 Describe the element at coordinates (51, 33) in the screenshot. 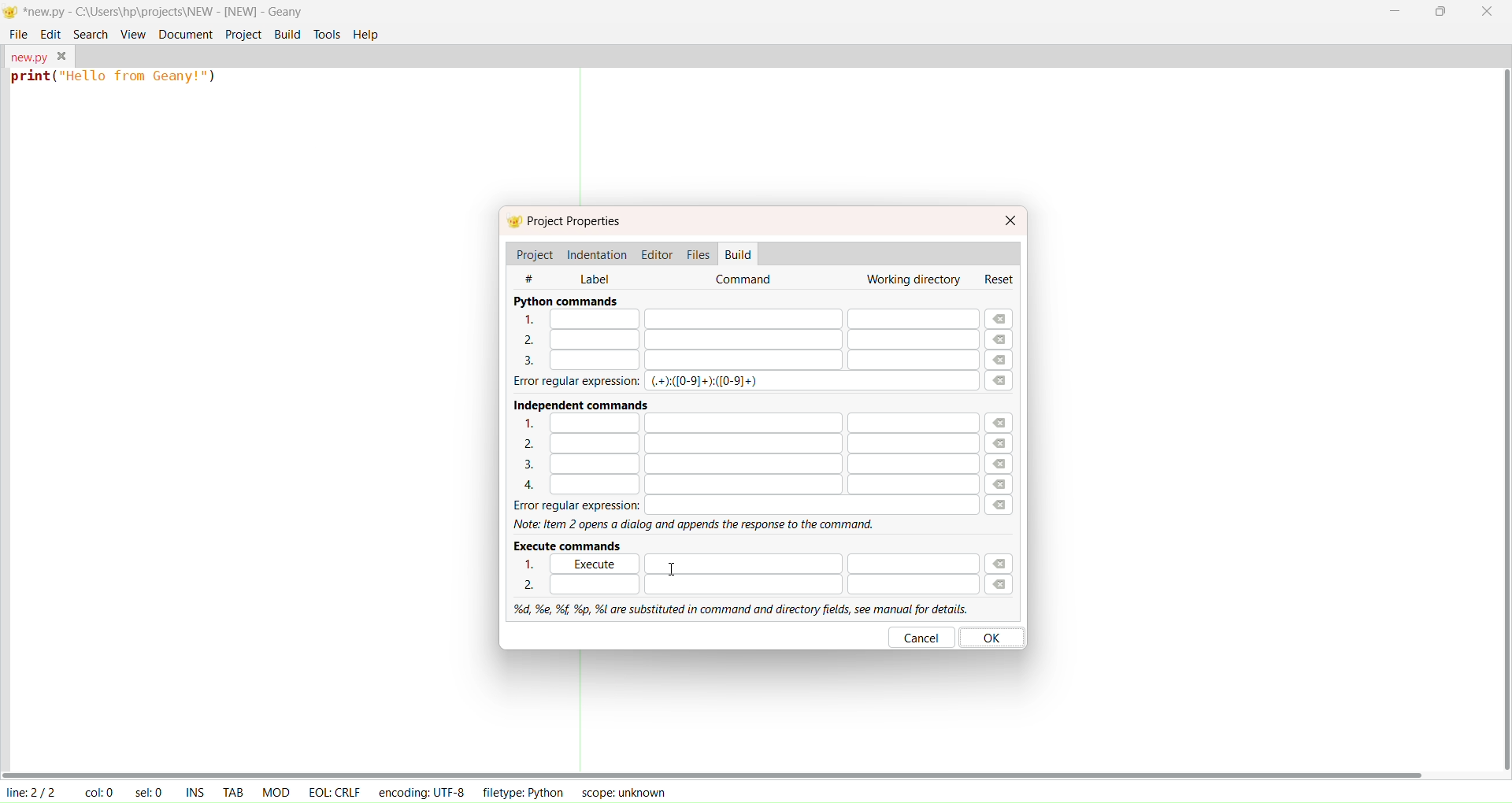

I see `edit` at that location.